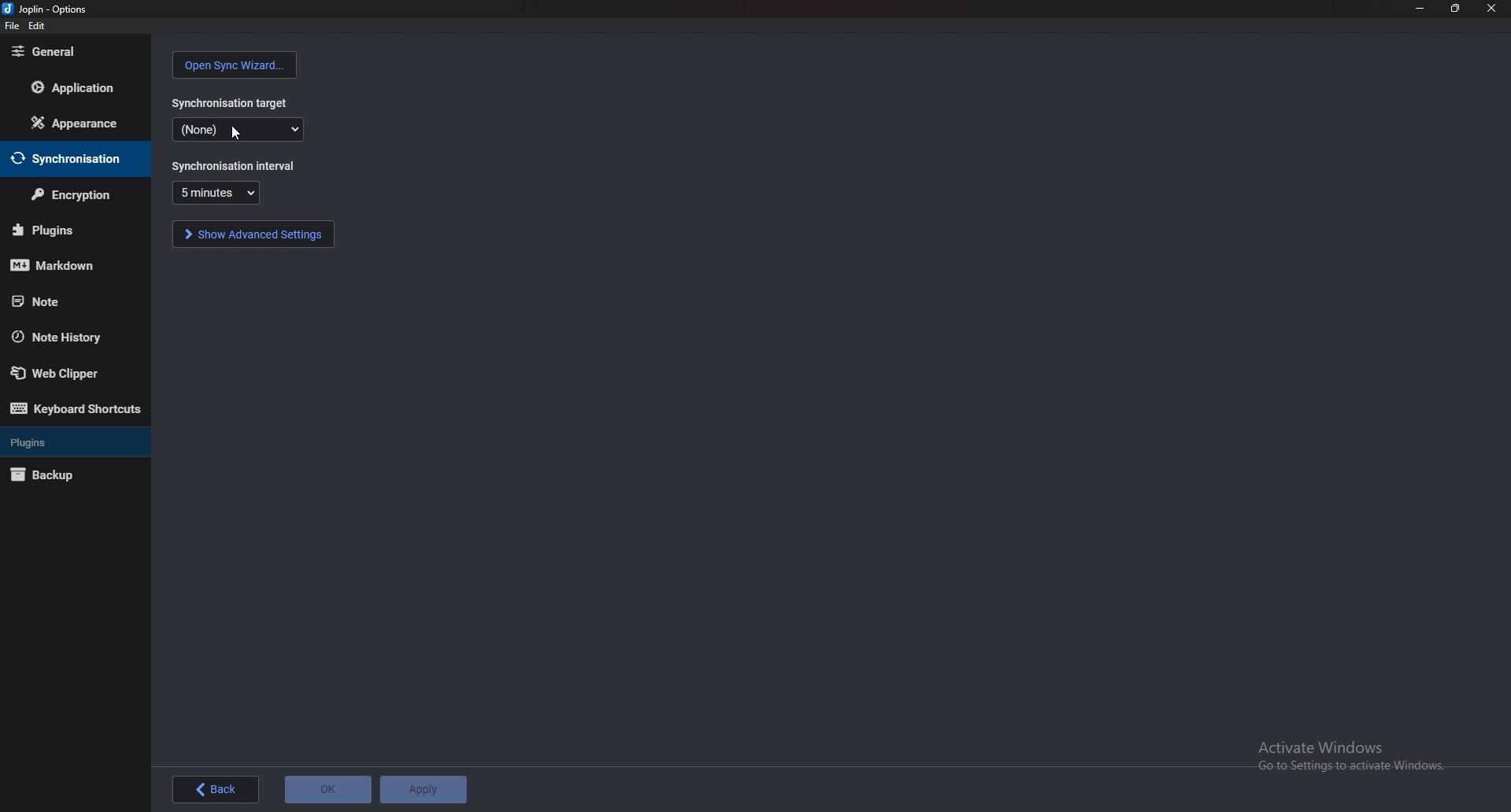 This screenshot has height=812, width=1511. Describe the element at coordinates (255, 234) in the screenshot. I see `Show advanced settings` at that location.